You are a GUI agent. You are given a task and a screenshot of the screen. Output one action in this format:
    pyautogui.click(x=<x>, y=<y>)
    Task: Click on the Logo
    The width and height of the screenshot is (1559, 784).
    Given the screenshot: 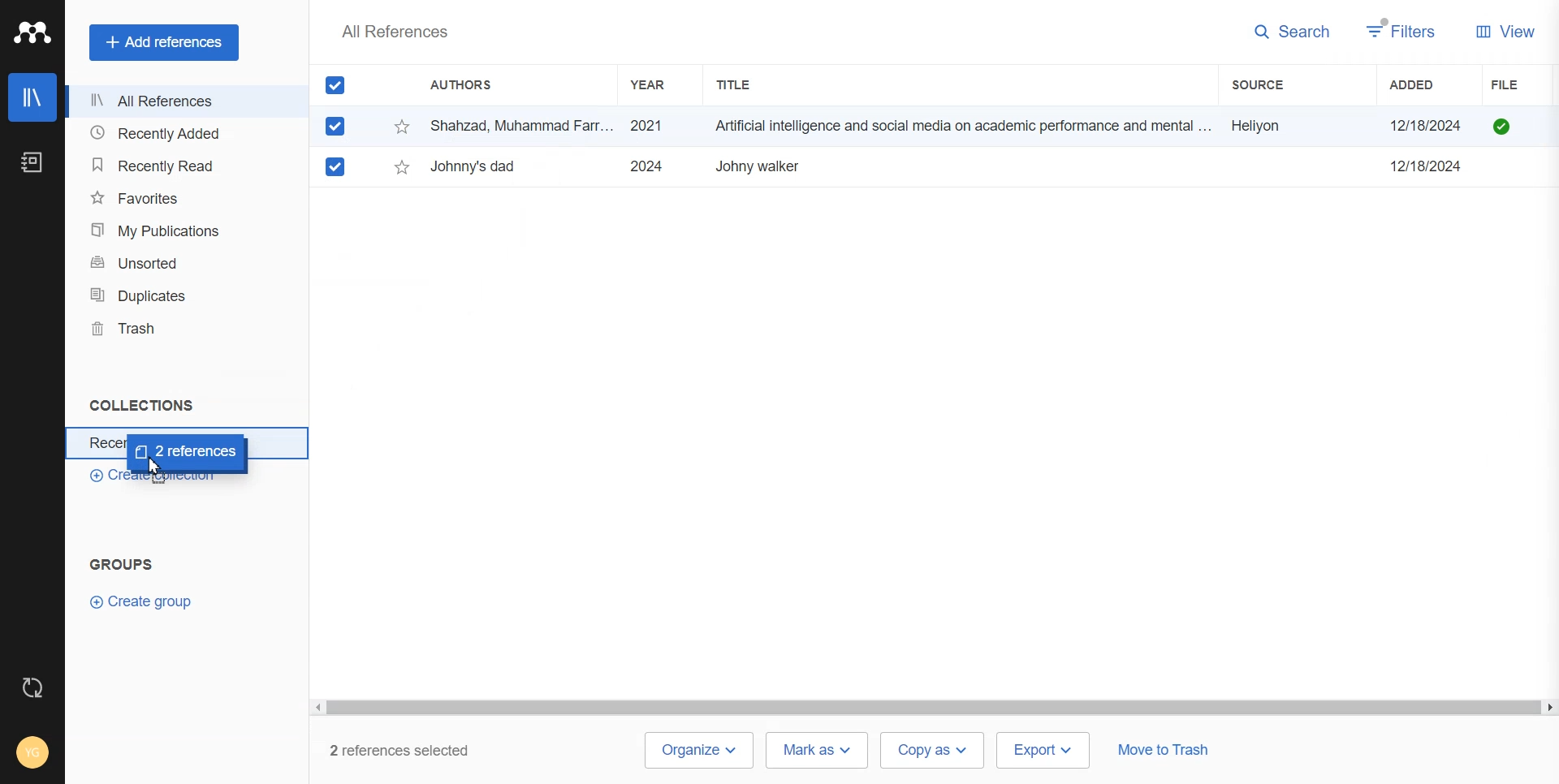 What is the action you would take?
    pyautogui.click(x=32, y=32)
    